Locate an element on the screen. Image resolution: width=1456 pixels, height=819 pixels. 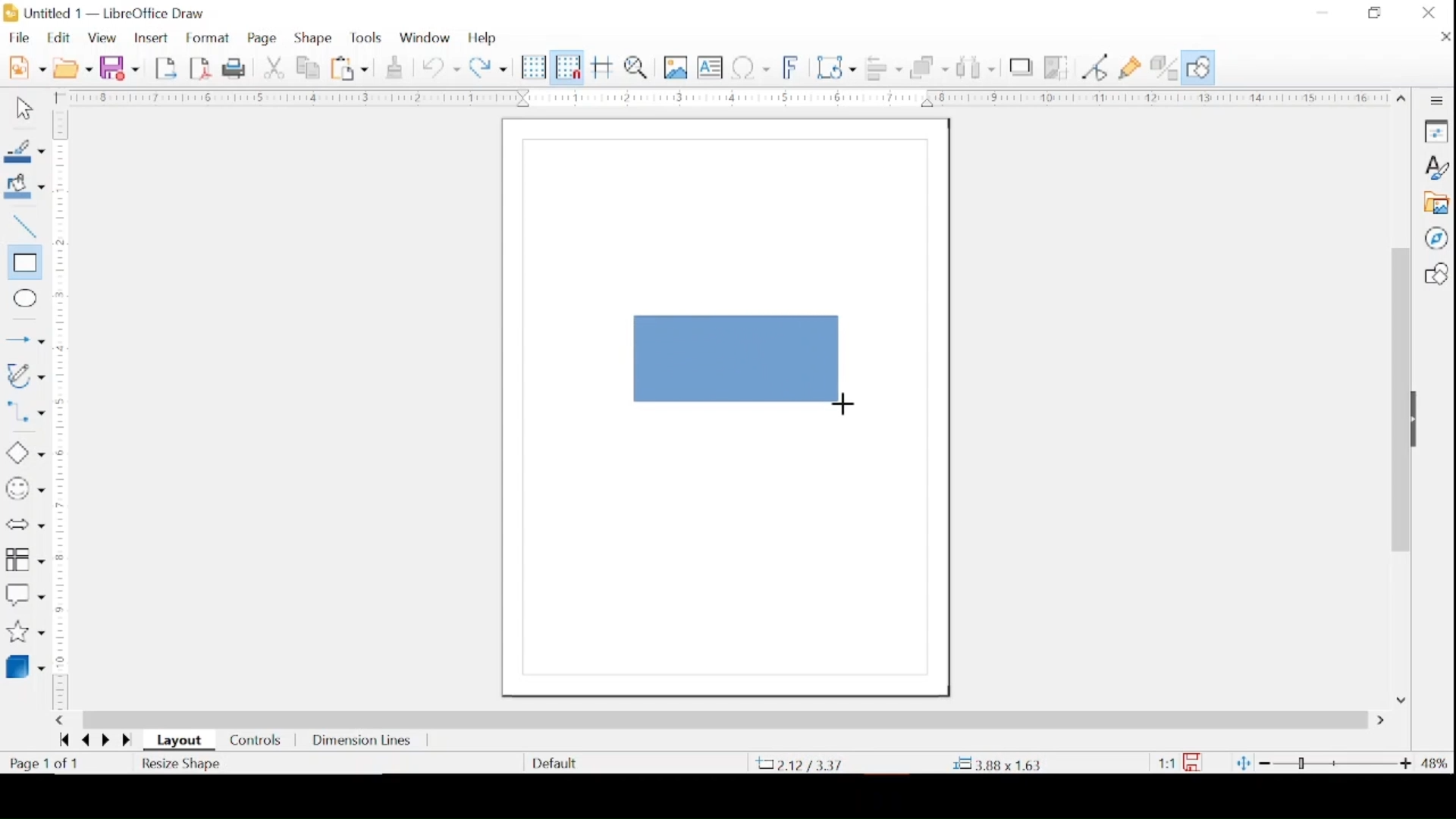
redo is located at coordinates (488, 66).